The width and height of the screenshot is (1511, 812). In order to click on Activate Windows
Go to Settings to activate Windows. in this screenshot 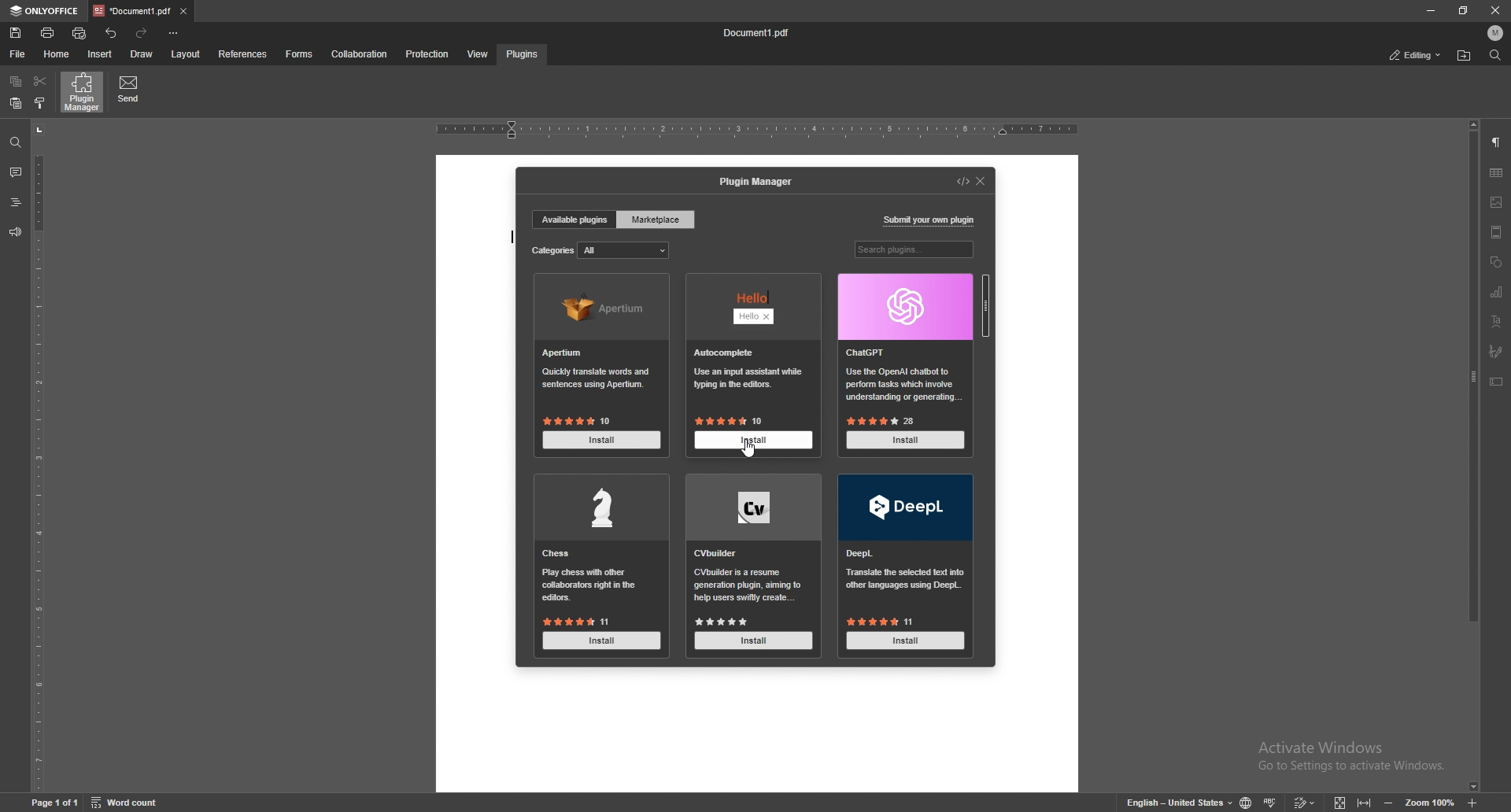, I will do `click(1350, 755)`.